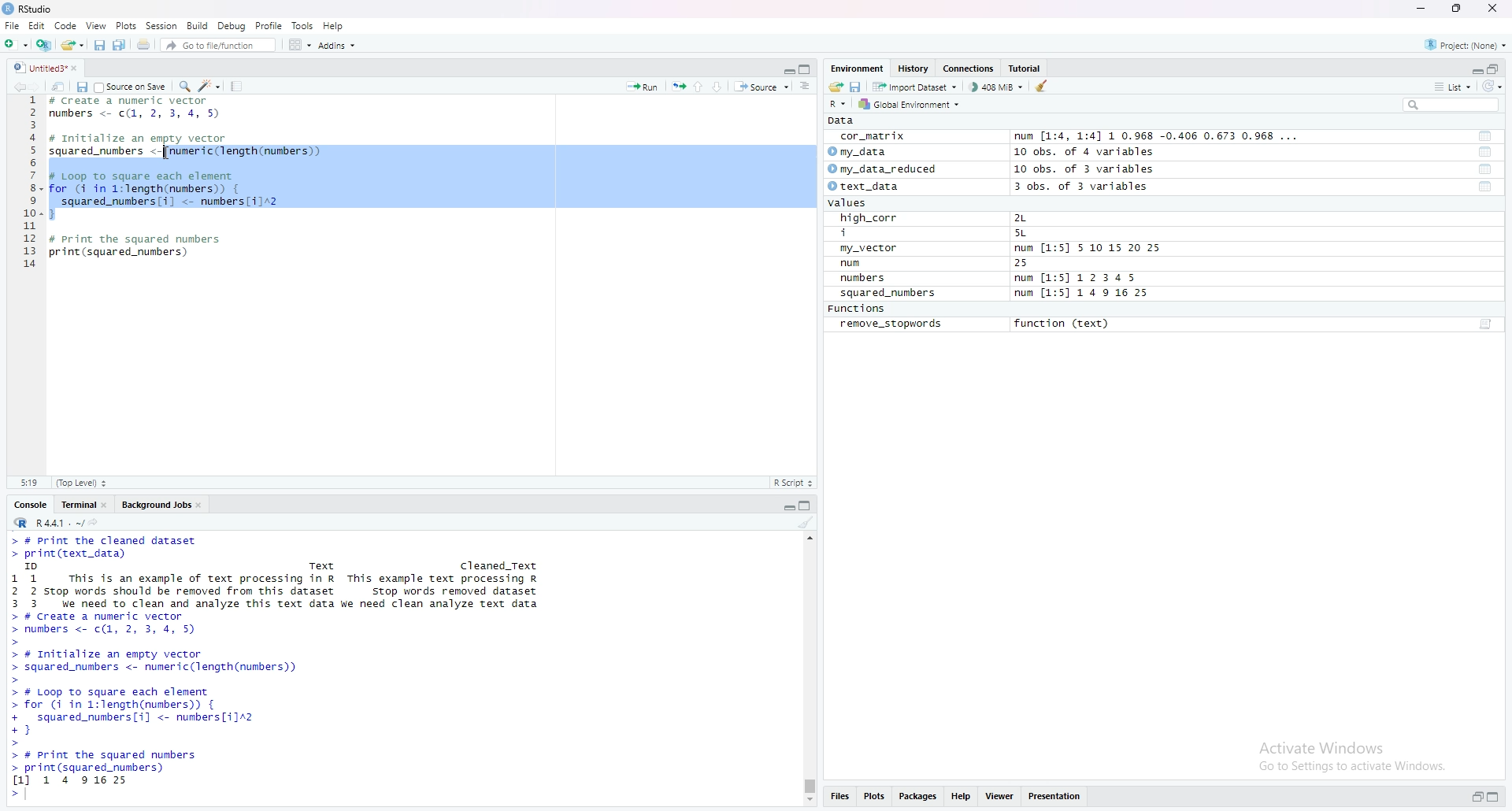  I want to click on Environment, so click(857, 68).